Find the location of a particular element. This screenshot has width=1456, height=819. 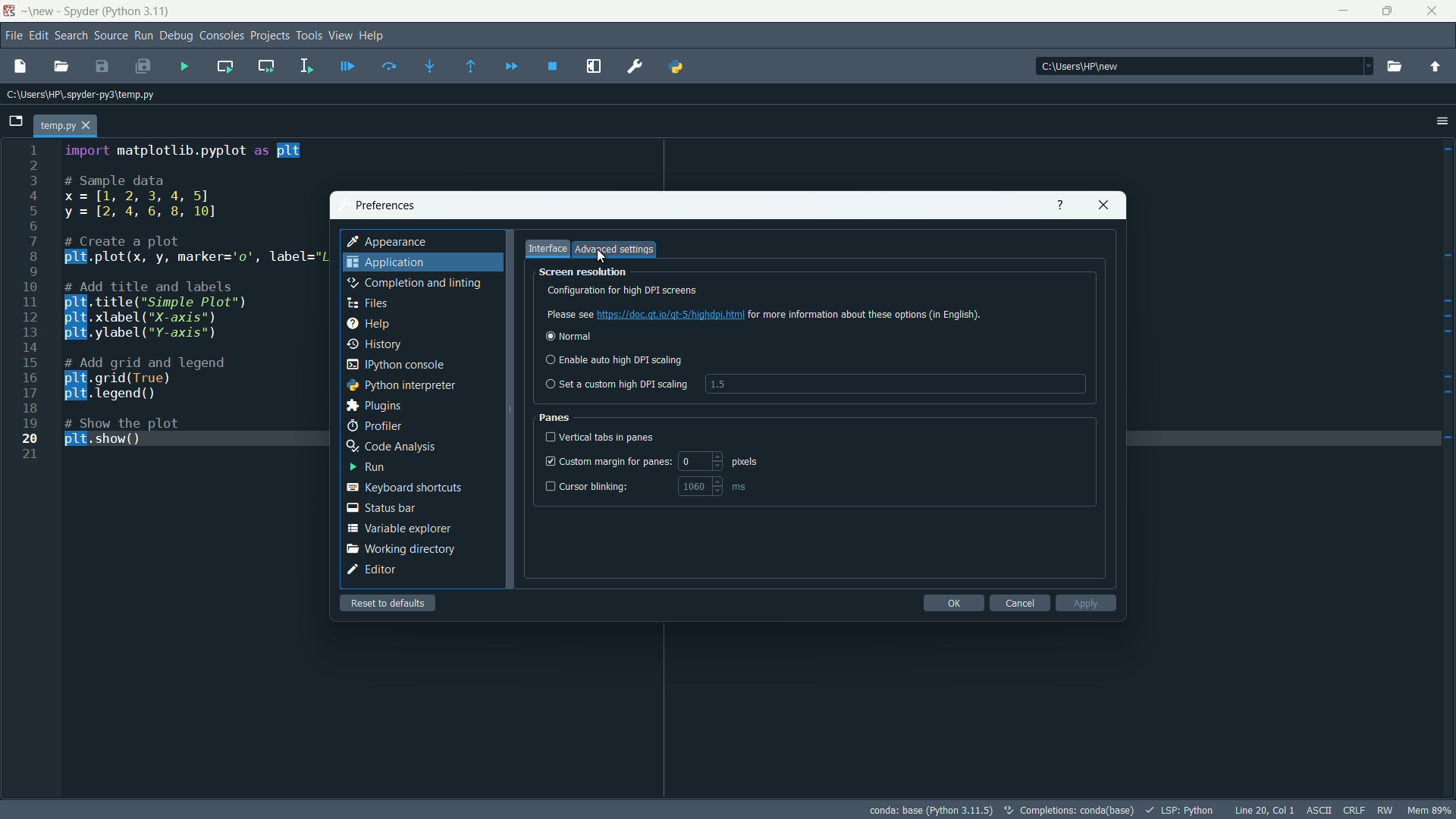

custom margin for panes is located at coordinates (607, 461).